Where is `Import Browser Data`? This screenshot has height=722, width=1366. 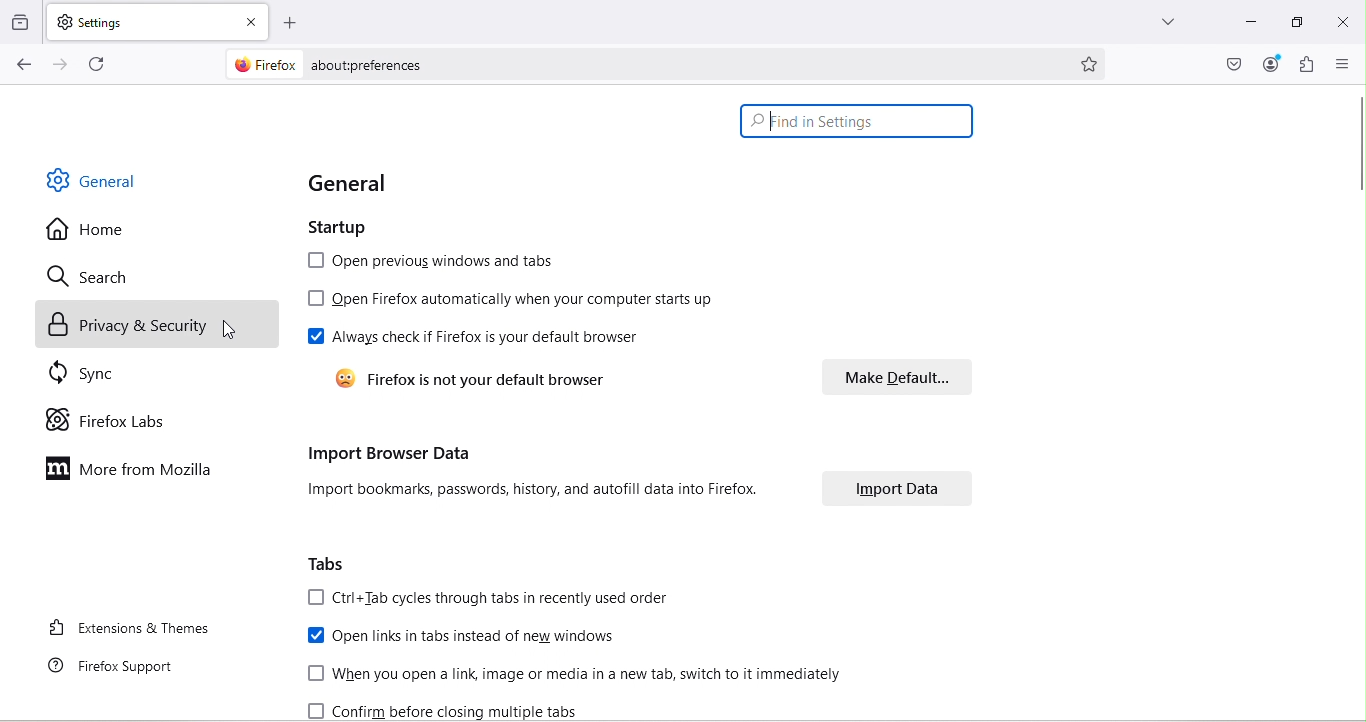
Import Browser Data is located at coordinates (535, 455).